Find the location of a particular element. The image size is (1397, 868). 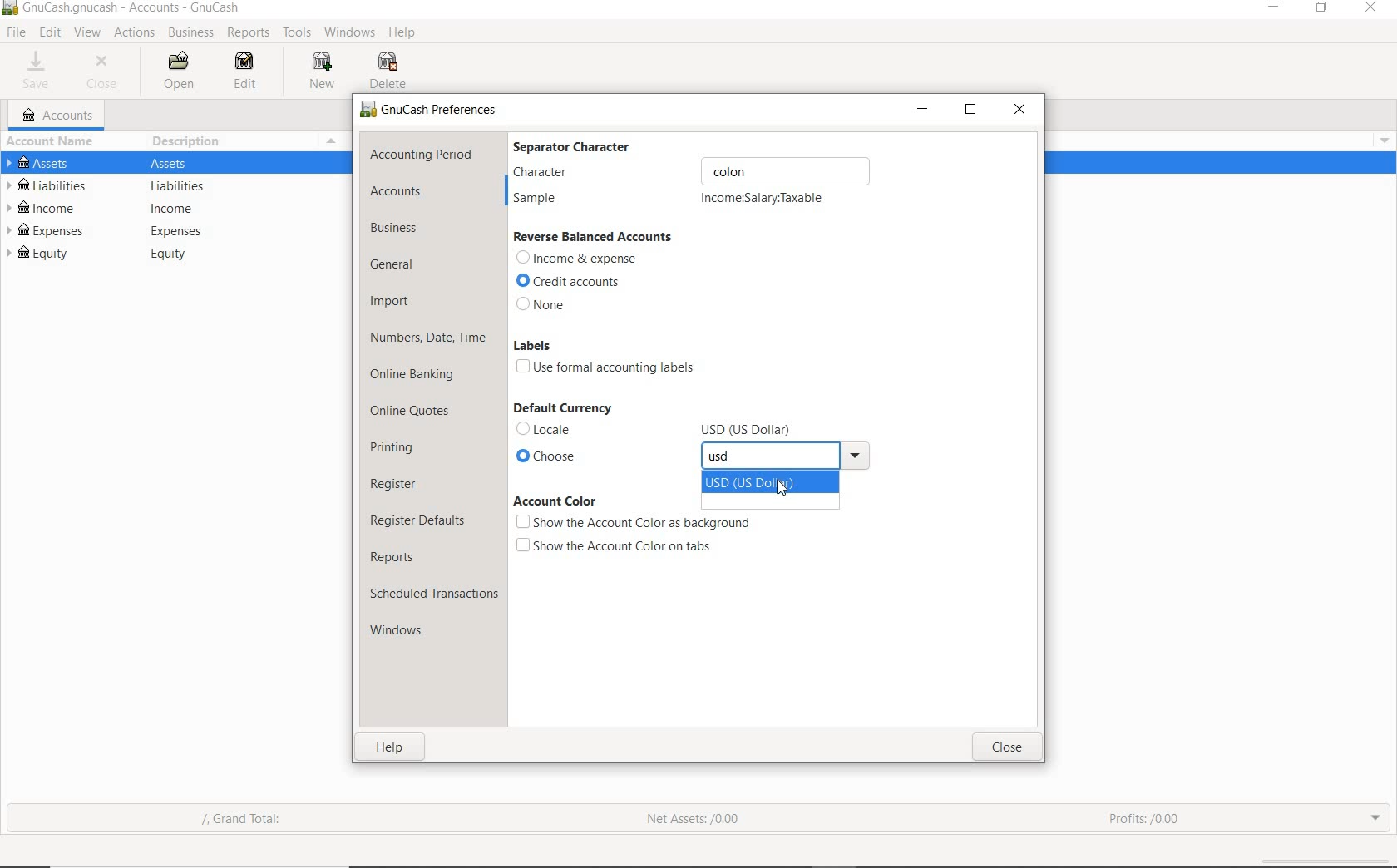

ACCOUNT NAME is located at coordinates (53, 143).